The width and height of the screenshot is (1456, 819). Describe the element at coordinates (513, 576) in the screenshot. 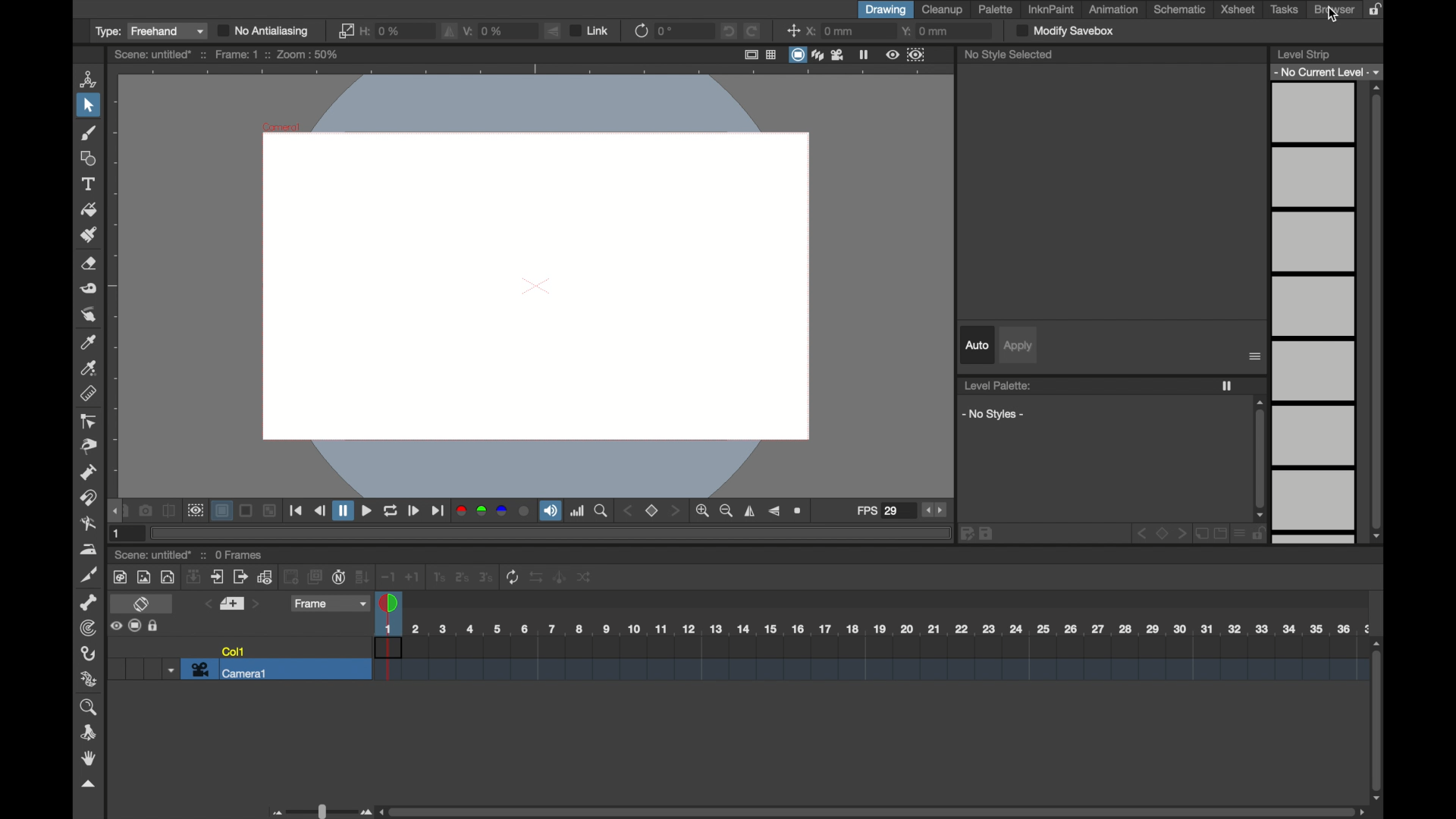

I see `refresh` at that location.